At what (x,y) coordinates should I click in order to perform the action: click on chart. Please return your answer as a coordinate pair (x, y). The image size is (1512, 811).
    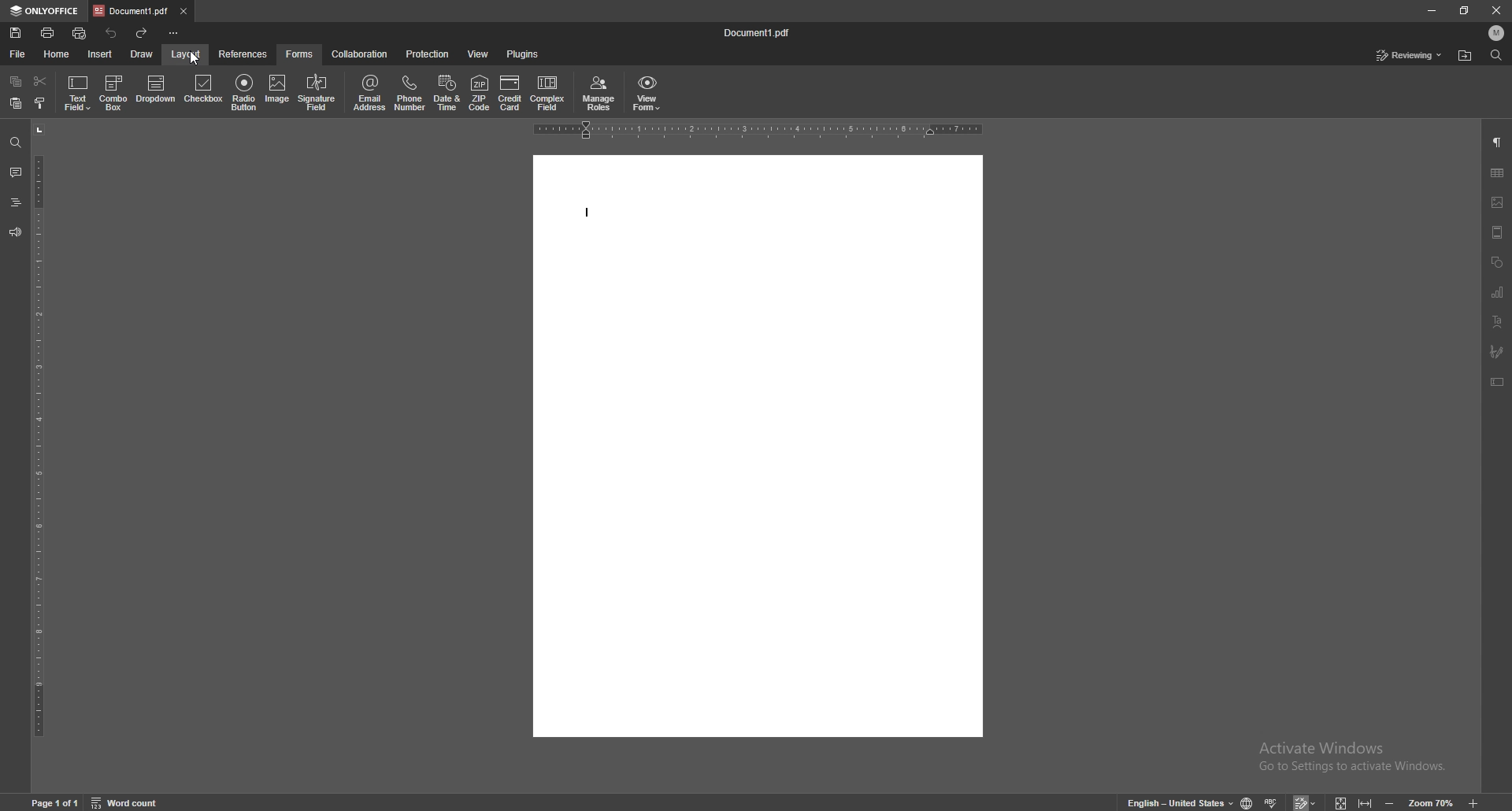
    Looking at the image, I should click on (1495, 291).